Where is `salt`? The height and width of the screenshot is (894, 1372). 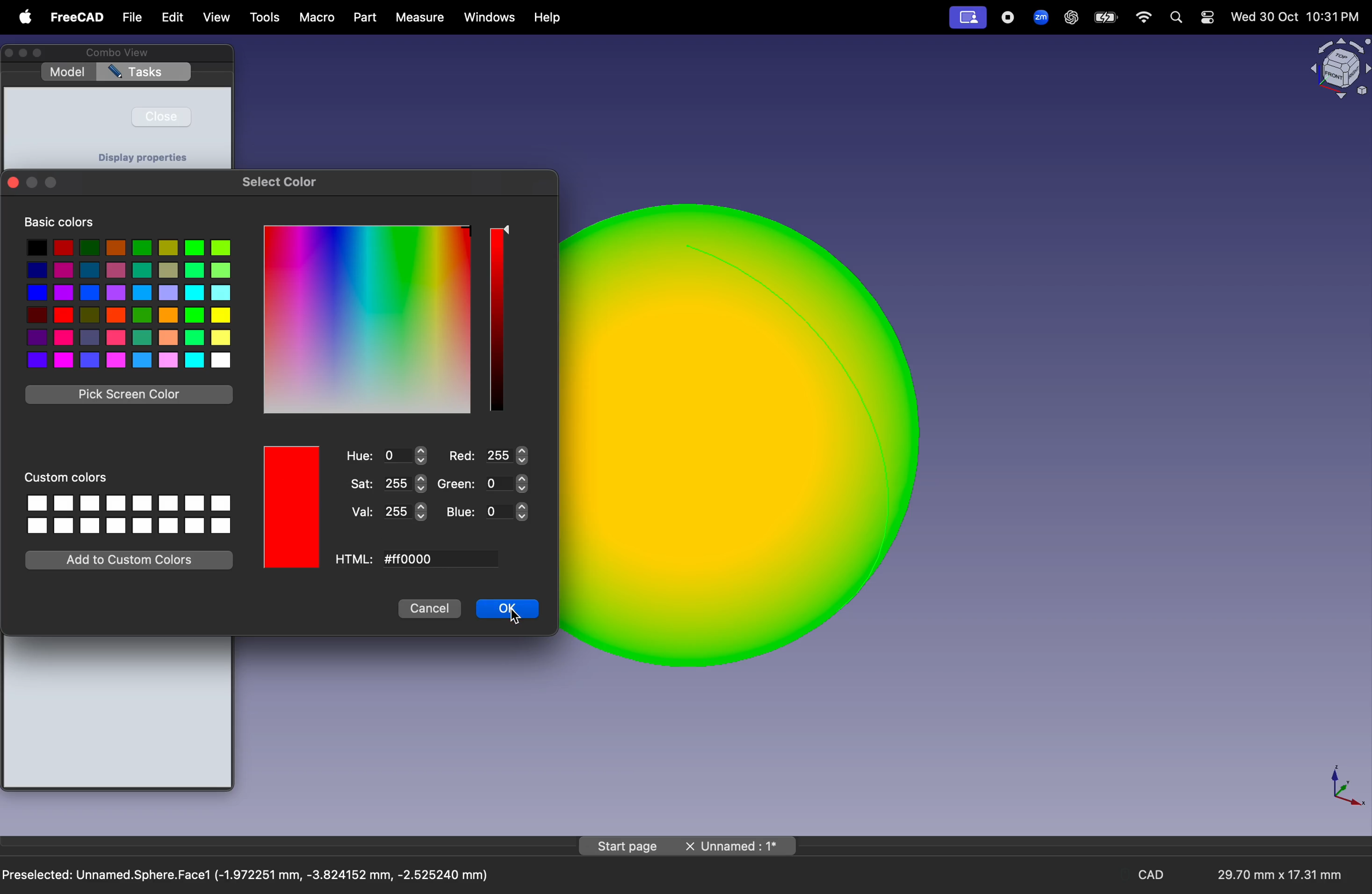 salt is located at coordinates (390, 483).